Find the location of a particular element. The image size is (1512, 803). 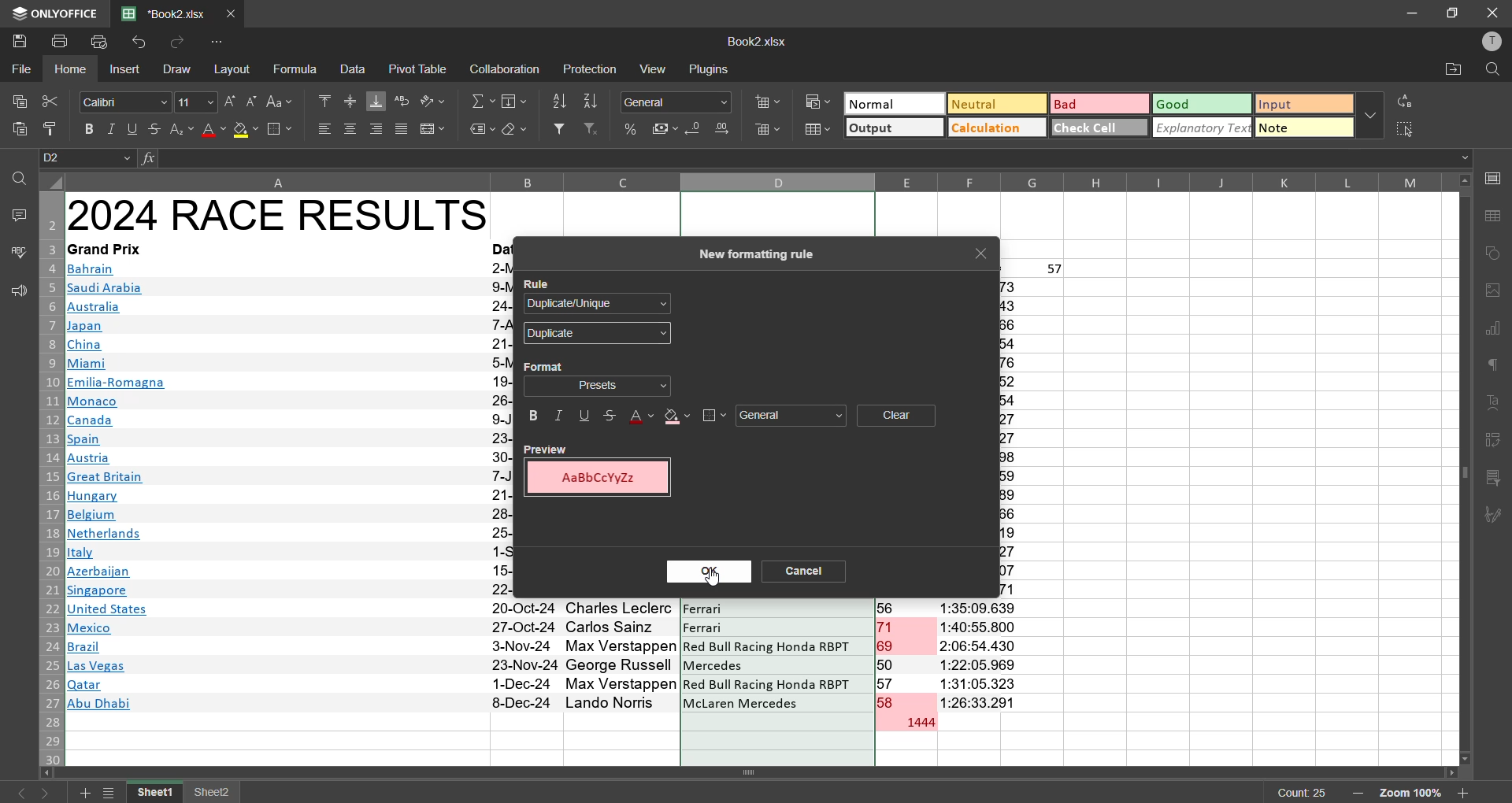

align top is located at coordinates (324, 99).